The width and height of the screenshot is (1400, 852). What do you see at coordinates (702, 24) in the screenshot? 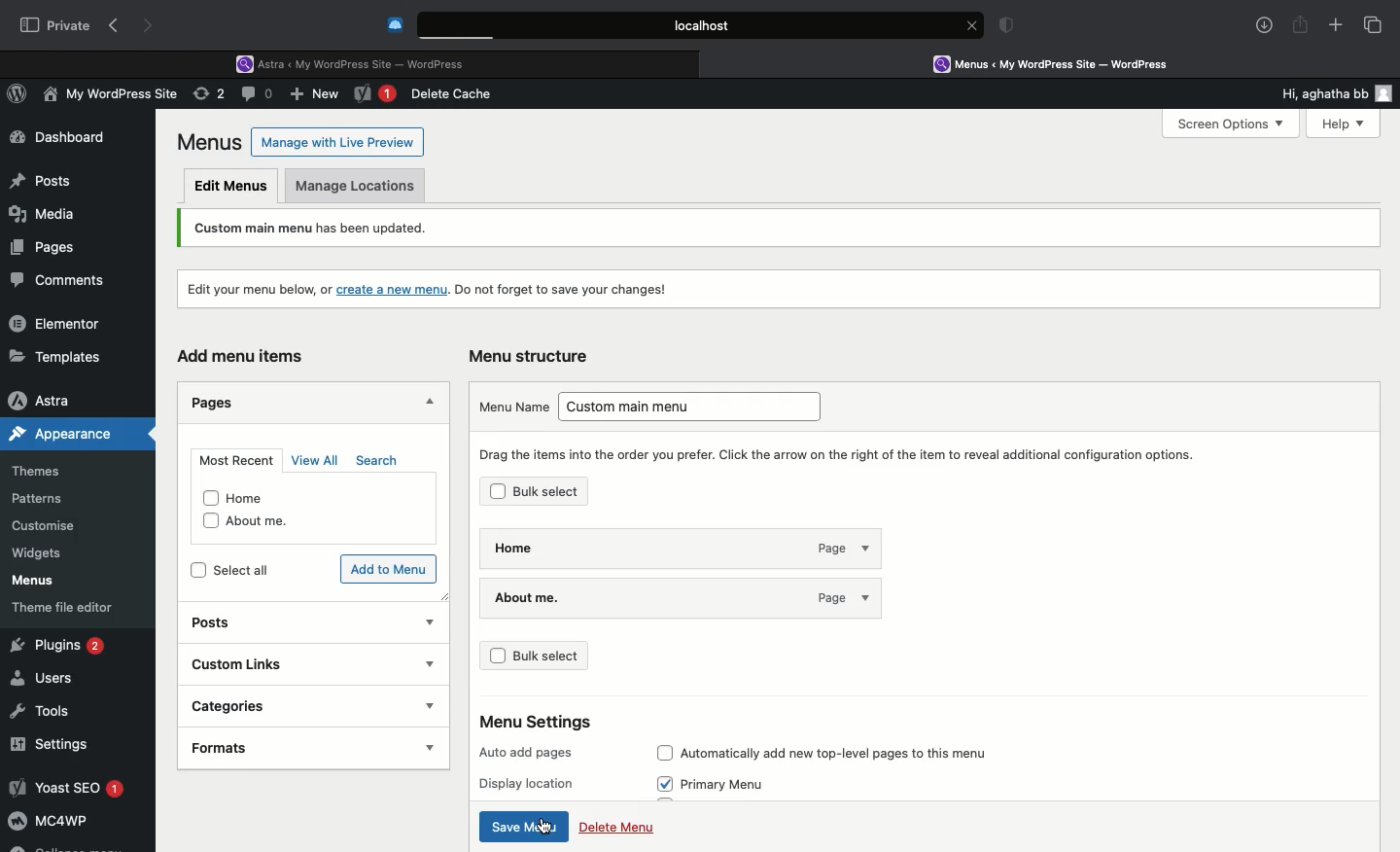
I see `Local.host` at bounding box center [702, 24].